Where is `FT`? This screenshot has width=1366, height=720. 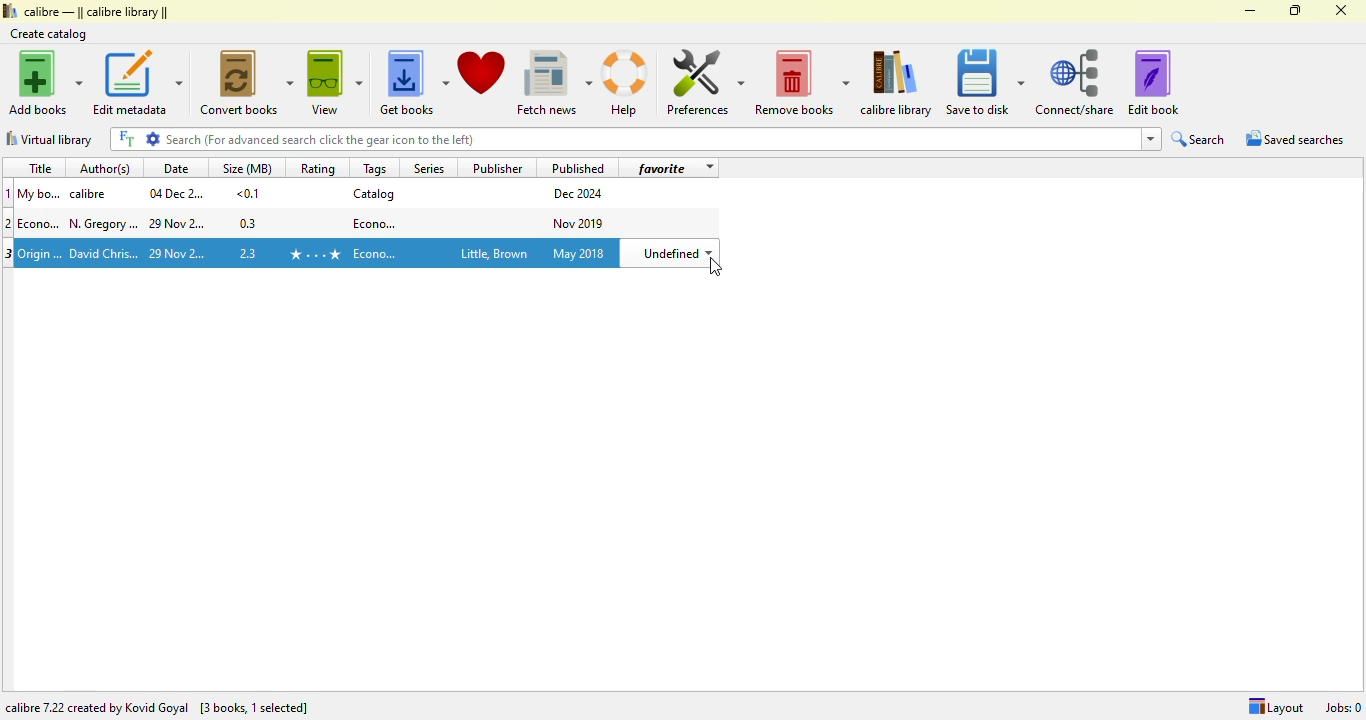 FT is located at coordinates (125, 139).